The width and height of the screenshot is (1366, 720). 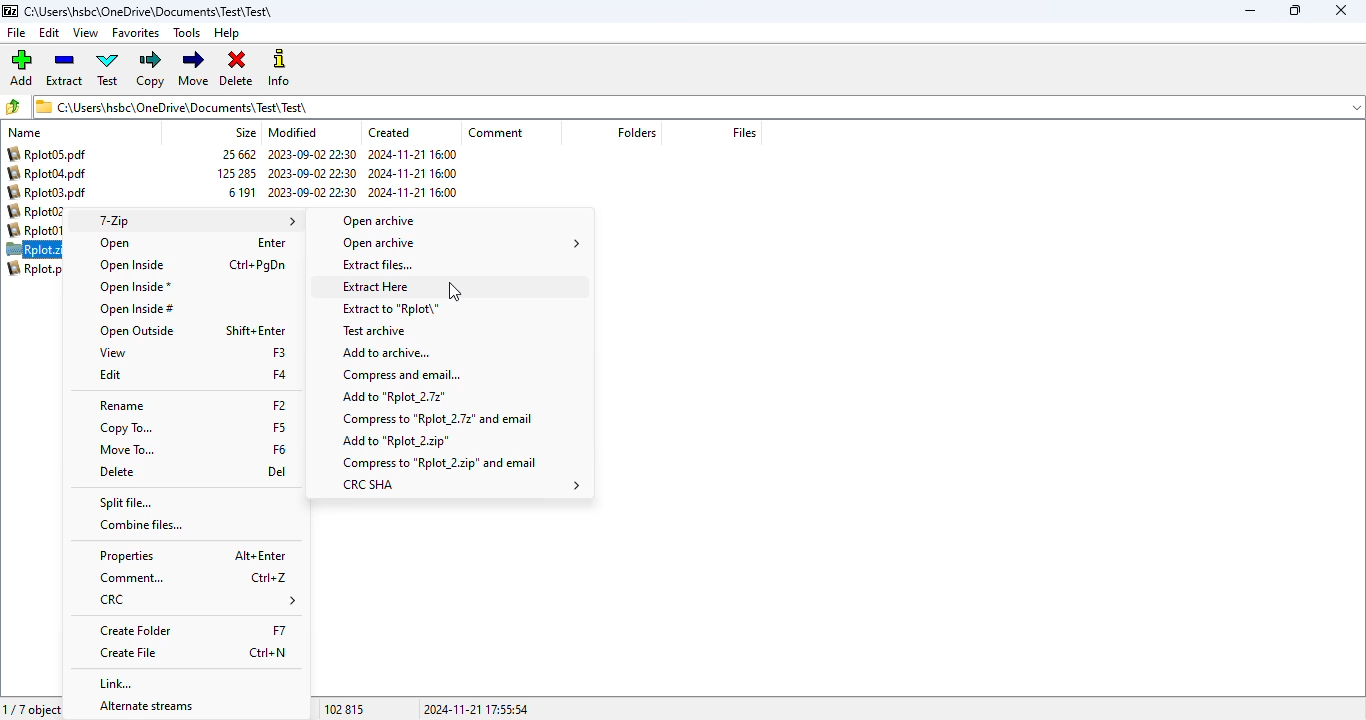 What do you see at coordinates (279, 426) in the screenshot?
I see `F5` at bounding box center [279, 426].